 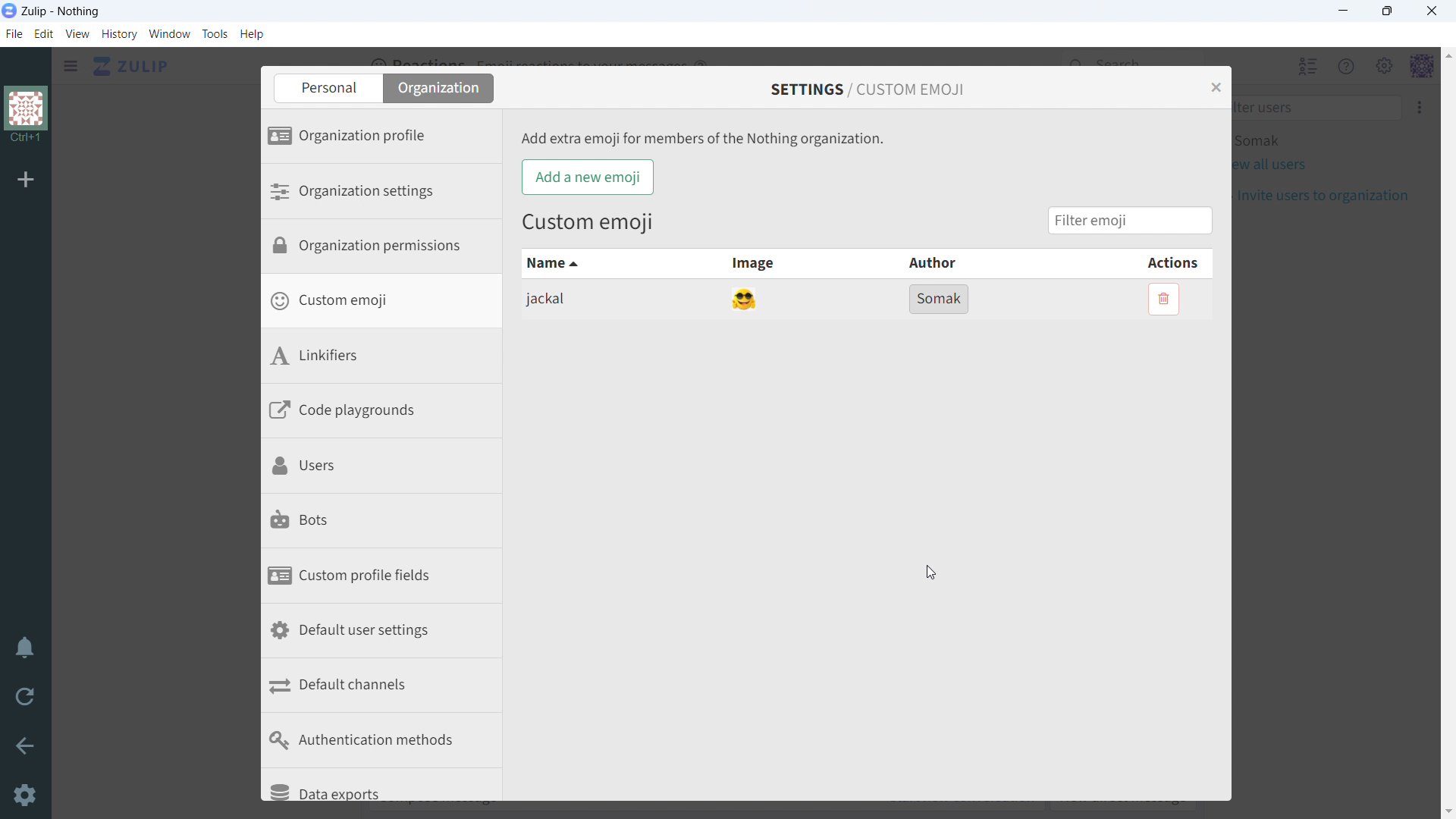 What do you see at coordinates (27, 180) in the screenshot?
I see `add organization` at bounding box center [27, 180].